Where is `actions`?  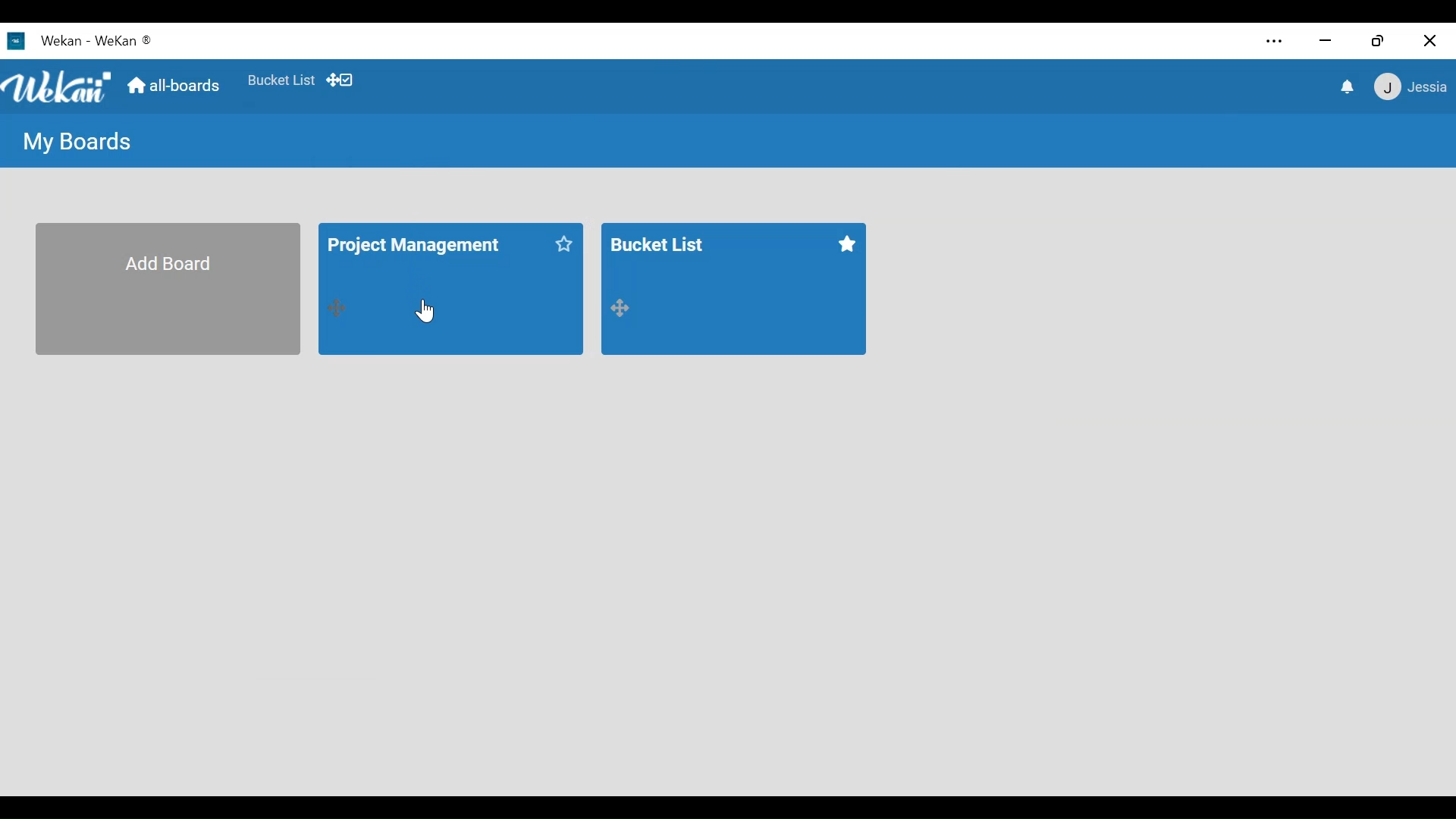 actions is located at coordinates (337, 307).